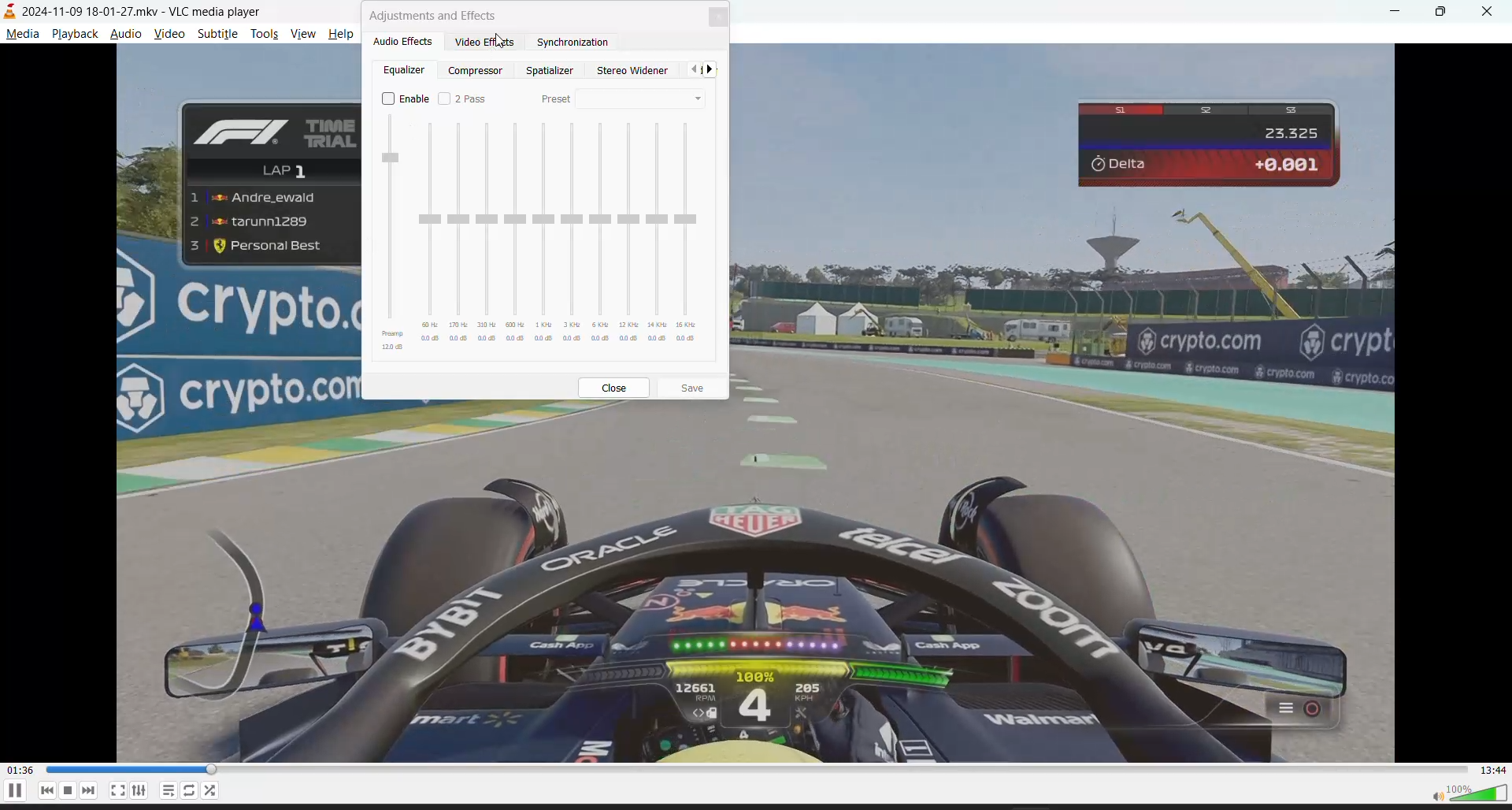 The height and width of the screenshot is (810, 1512). I want to click on spatializer, so click(552, 71).